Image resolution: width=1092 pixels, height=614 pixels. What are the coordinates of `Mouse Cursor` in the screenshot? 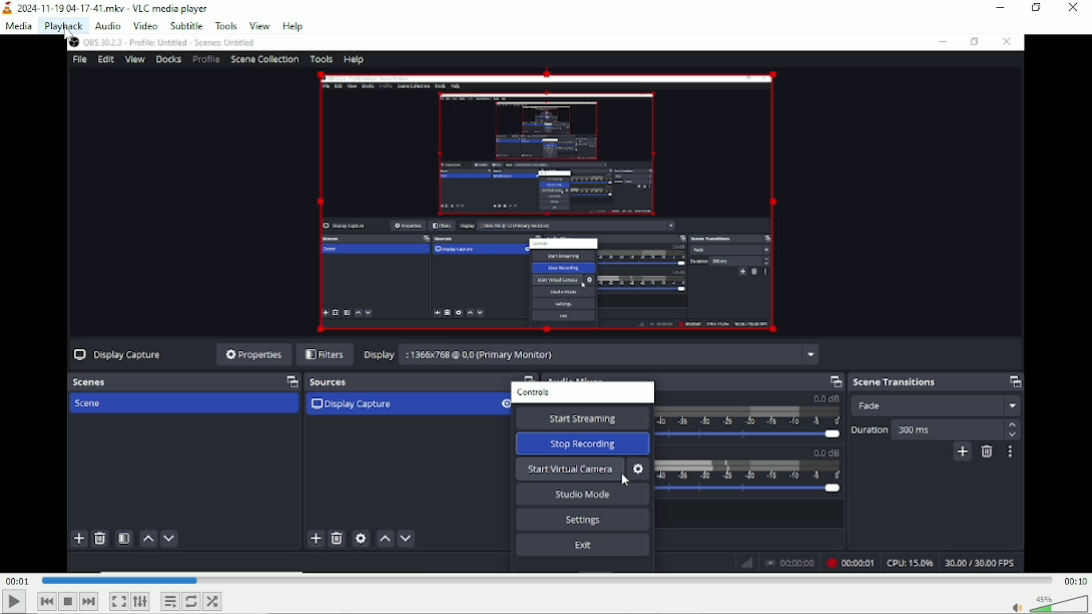 It's located at (71, 40).